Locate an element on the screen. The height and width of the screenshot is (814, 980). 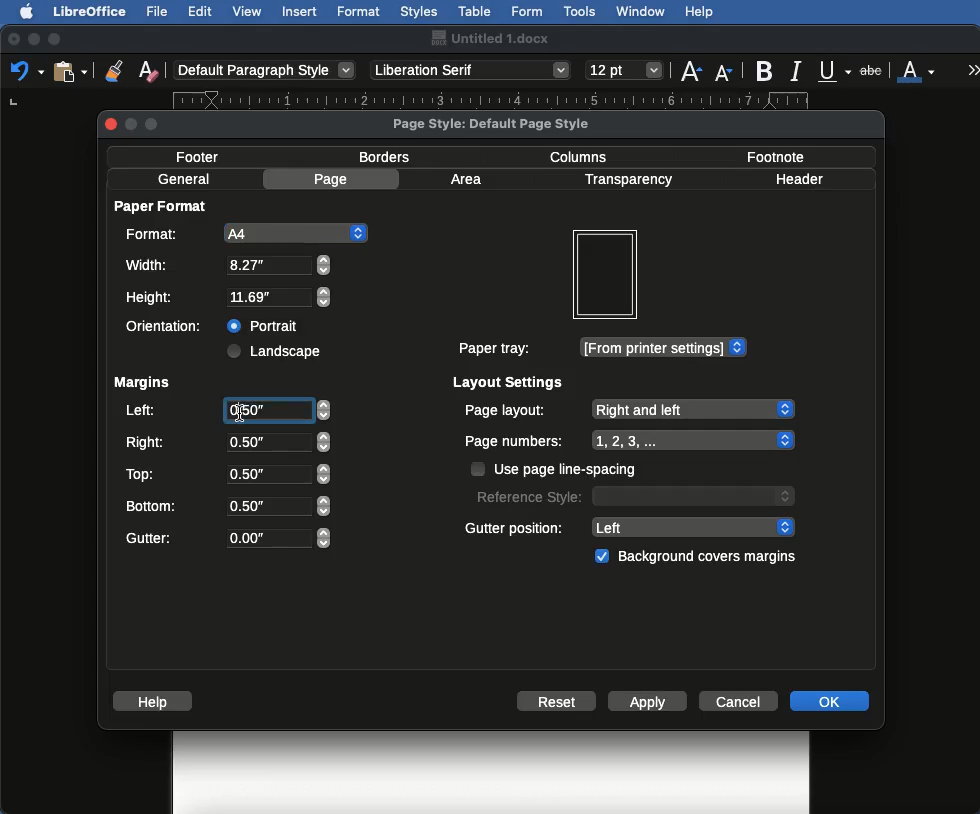
Window is located at coordinates (641, 12).